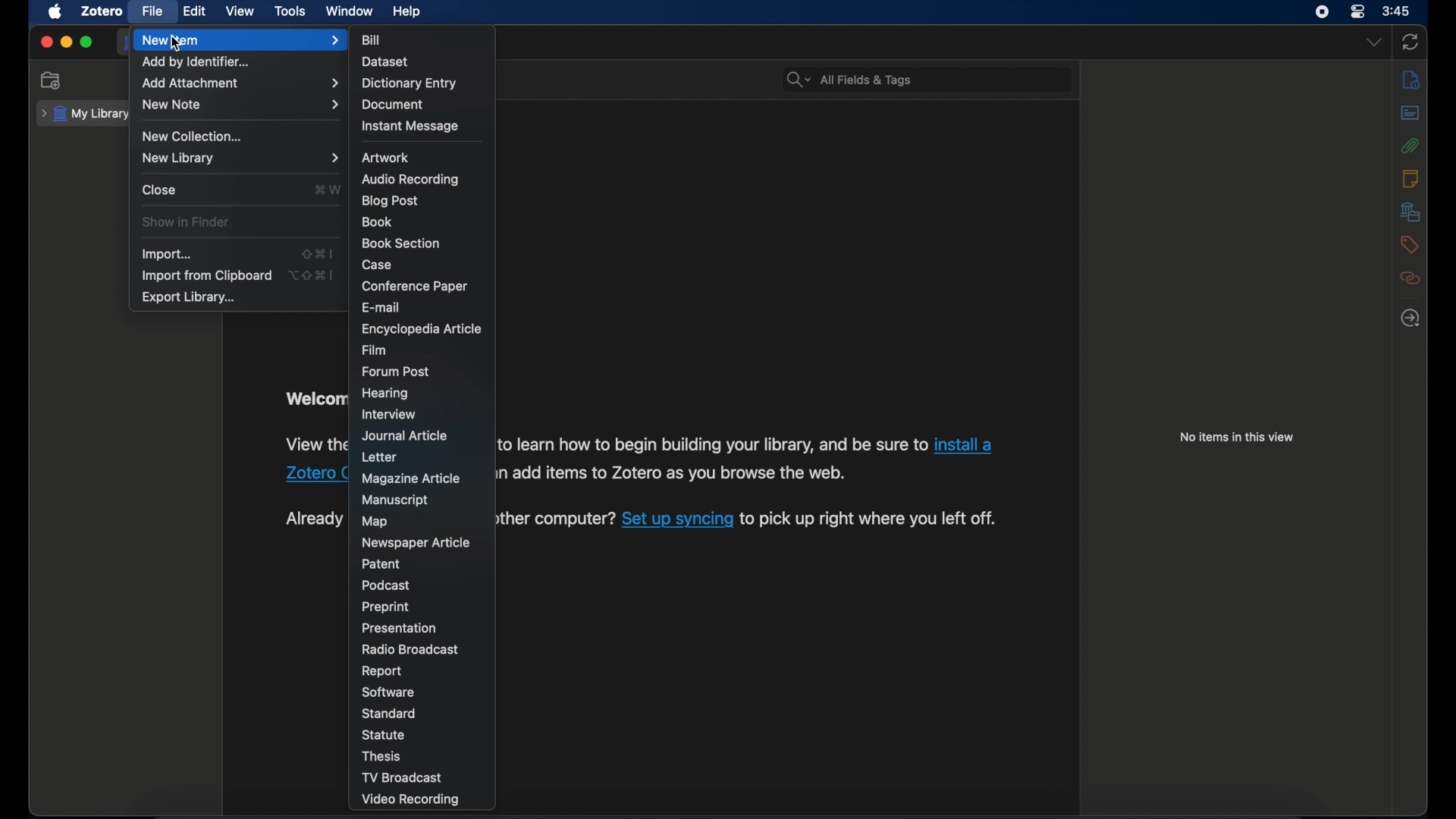  I want to click on close, so click(161, 190).